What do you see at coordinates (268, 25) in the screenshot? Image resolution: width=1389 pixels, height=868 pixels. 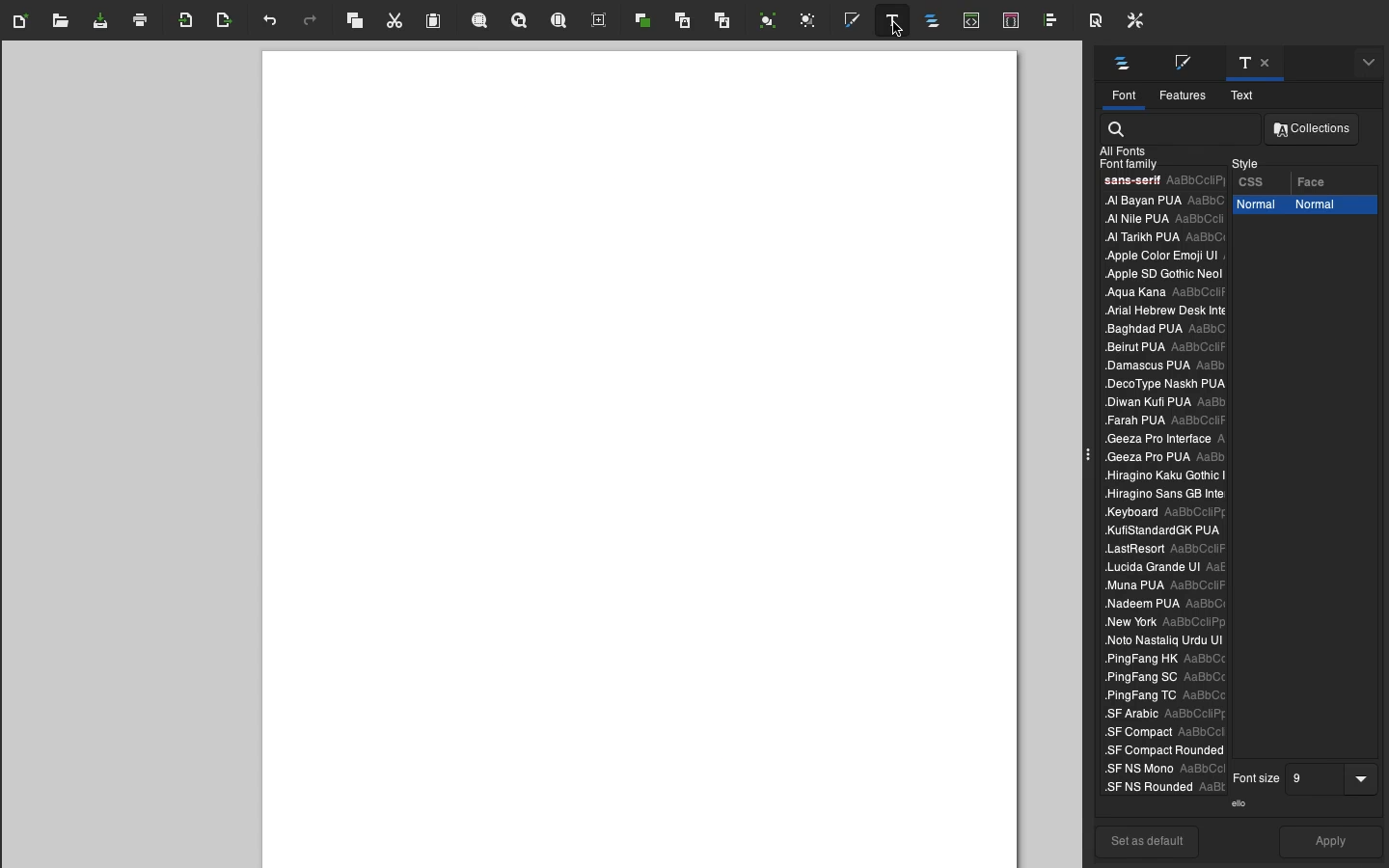 I see `Undo` at bounding box center [268, 25].